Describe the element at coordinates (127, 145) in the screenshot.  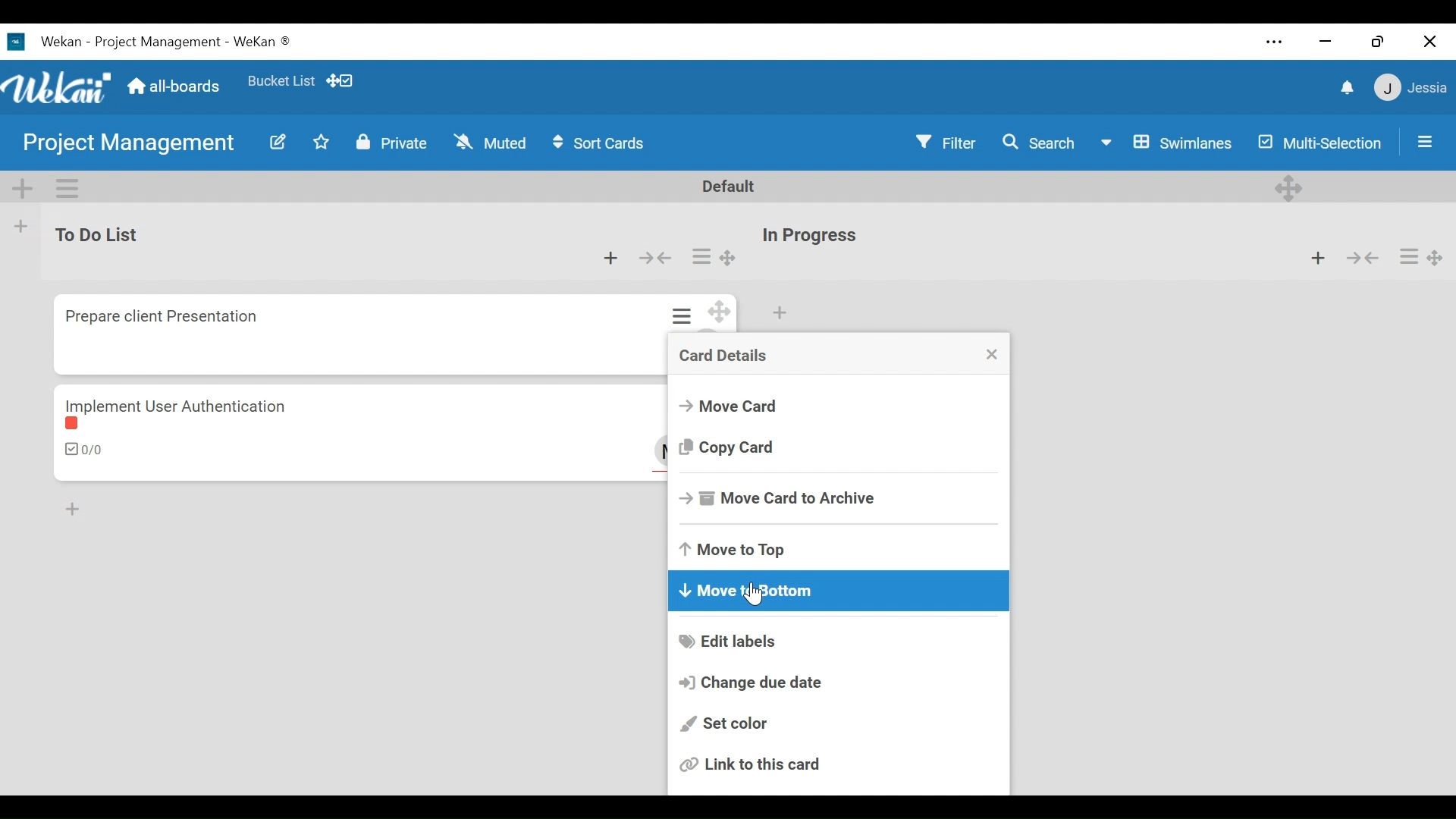
I see `Board Name` at that location.